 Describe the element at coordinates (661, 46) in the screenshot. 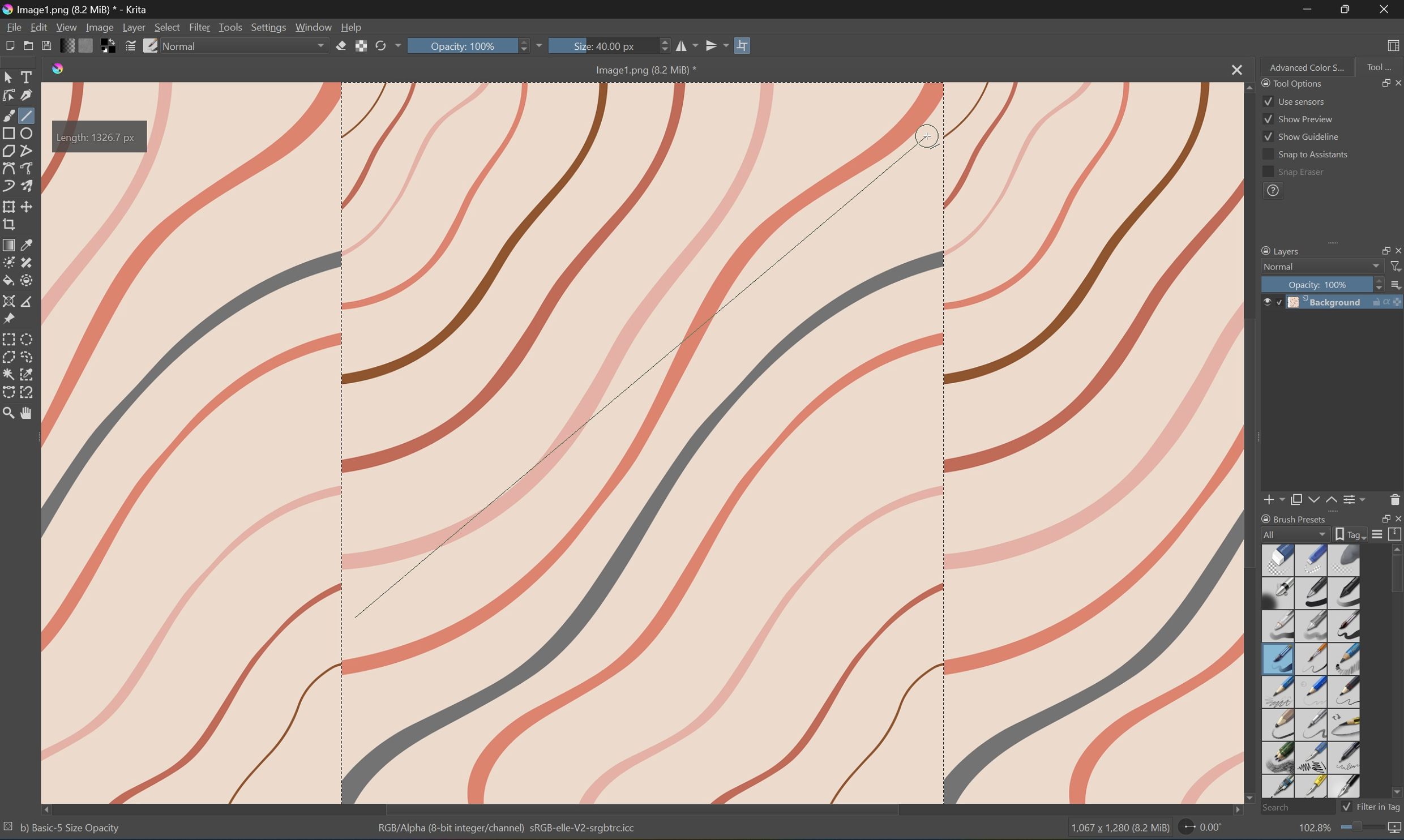

I see `Slider` at that location.